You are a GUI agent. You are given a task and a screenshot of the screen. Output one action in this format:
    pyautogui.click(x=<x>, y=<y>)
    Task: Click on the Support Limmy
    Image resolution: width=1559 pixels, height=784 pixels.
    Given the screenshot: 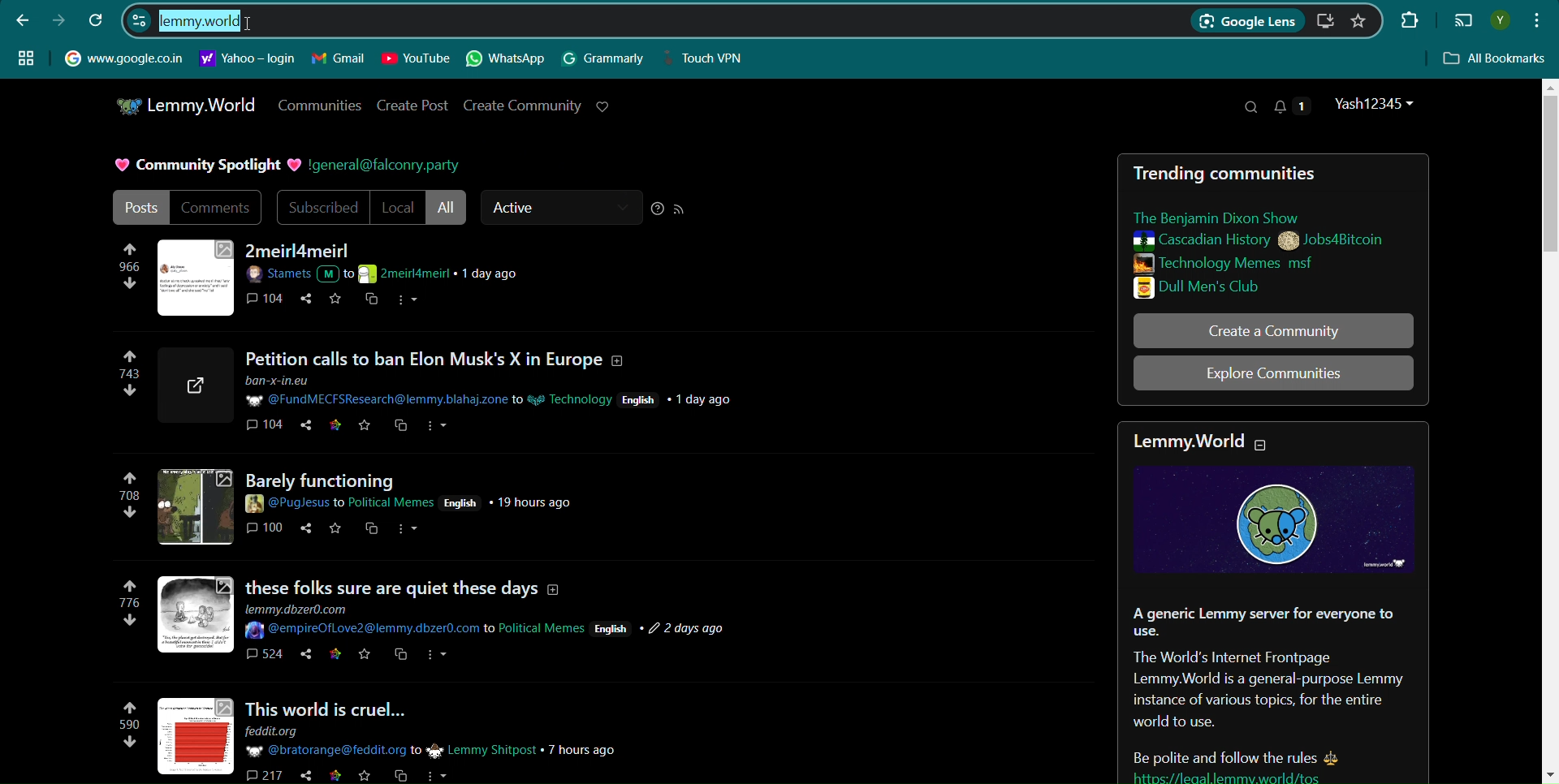 What is the action you would take?
    pyautogui.click(x=603, y=106)
    